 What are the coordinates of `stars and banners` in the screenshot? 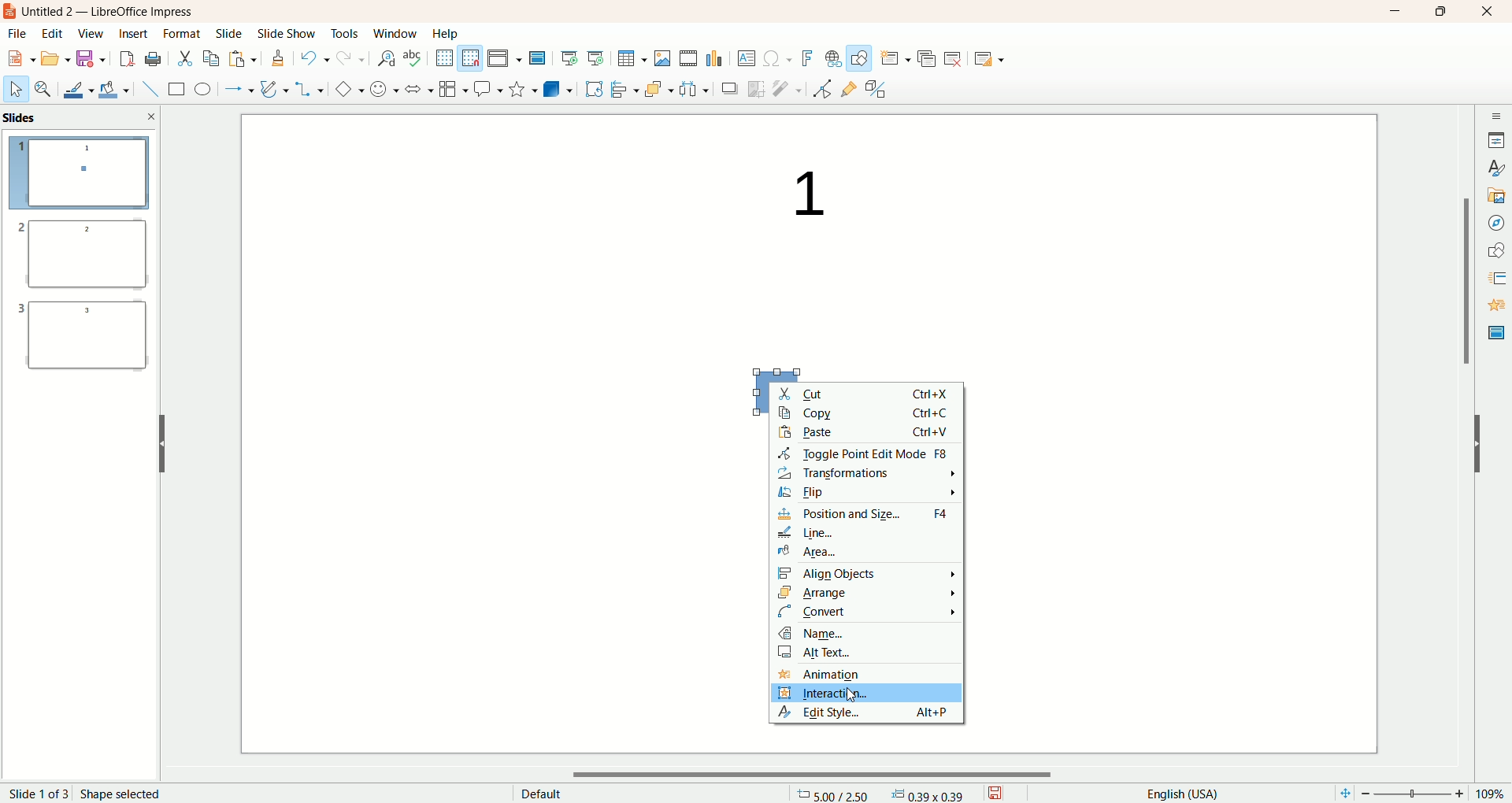 It's located at (521, 88).